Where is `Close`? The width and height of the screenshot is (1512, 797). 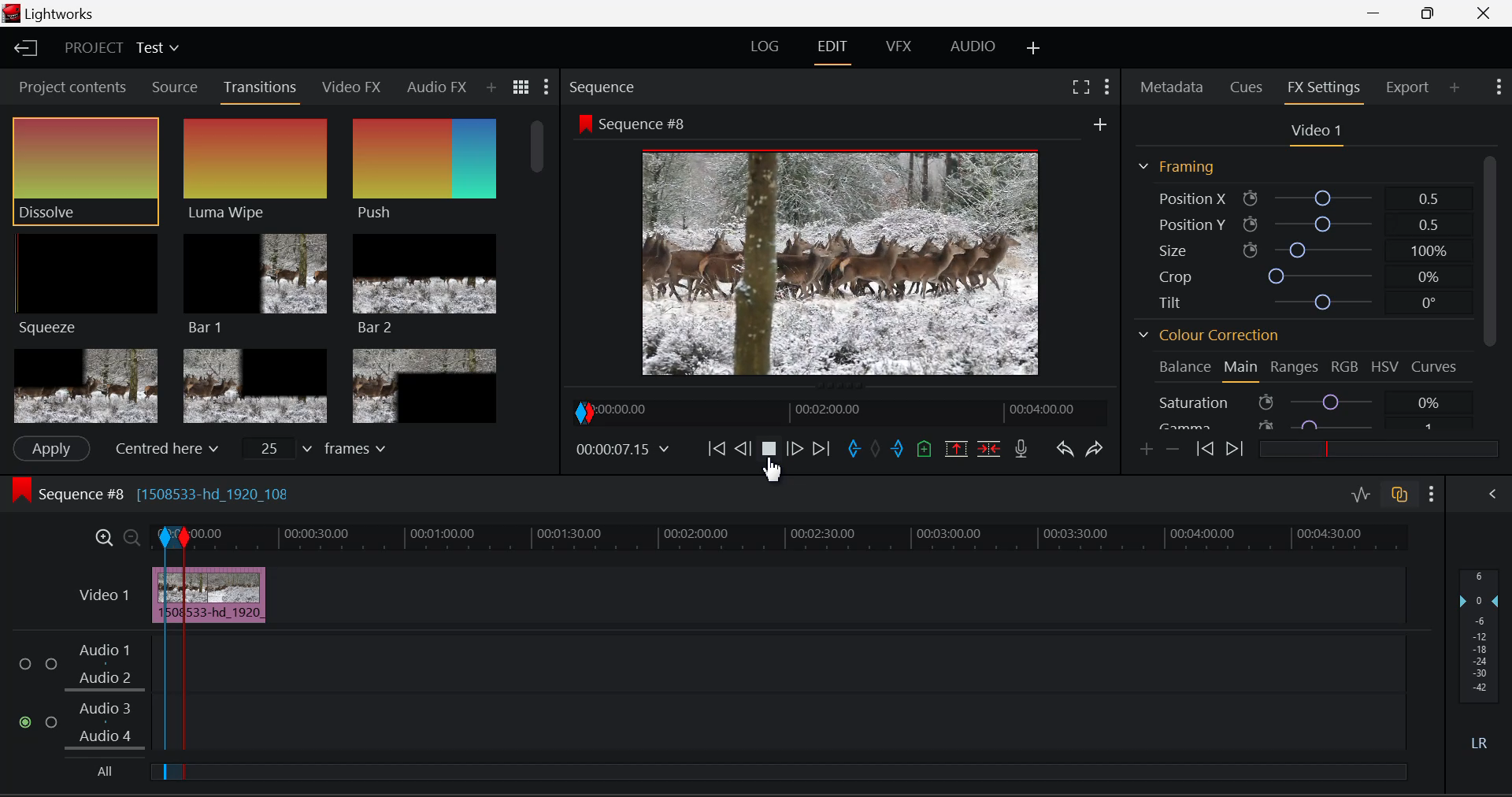 Close is located at coordinates (1485, 13).